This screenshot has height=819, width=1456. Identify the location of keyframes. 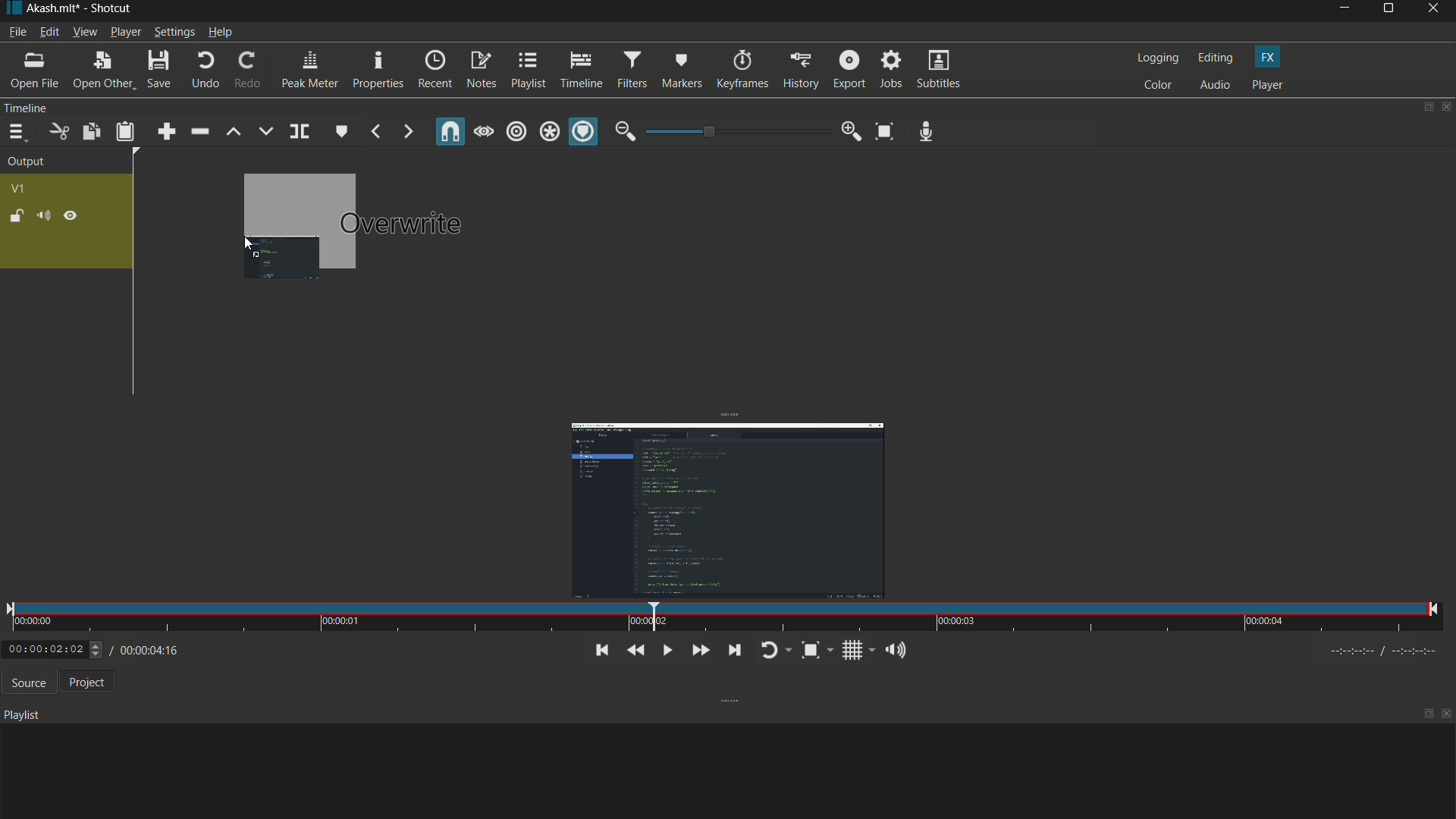
(741, 70).